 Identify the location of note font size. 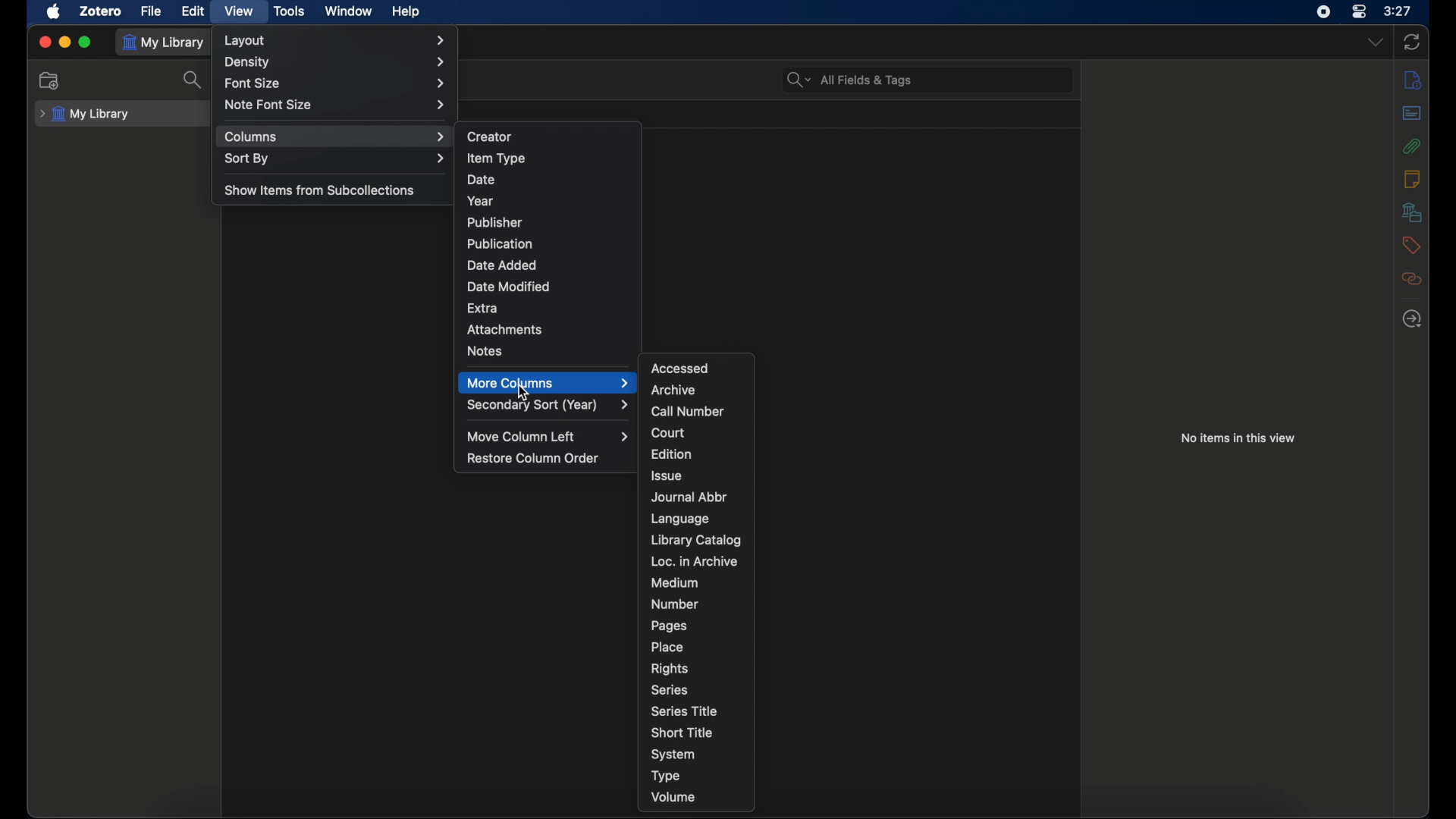
(337, 105).